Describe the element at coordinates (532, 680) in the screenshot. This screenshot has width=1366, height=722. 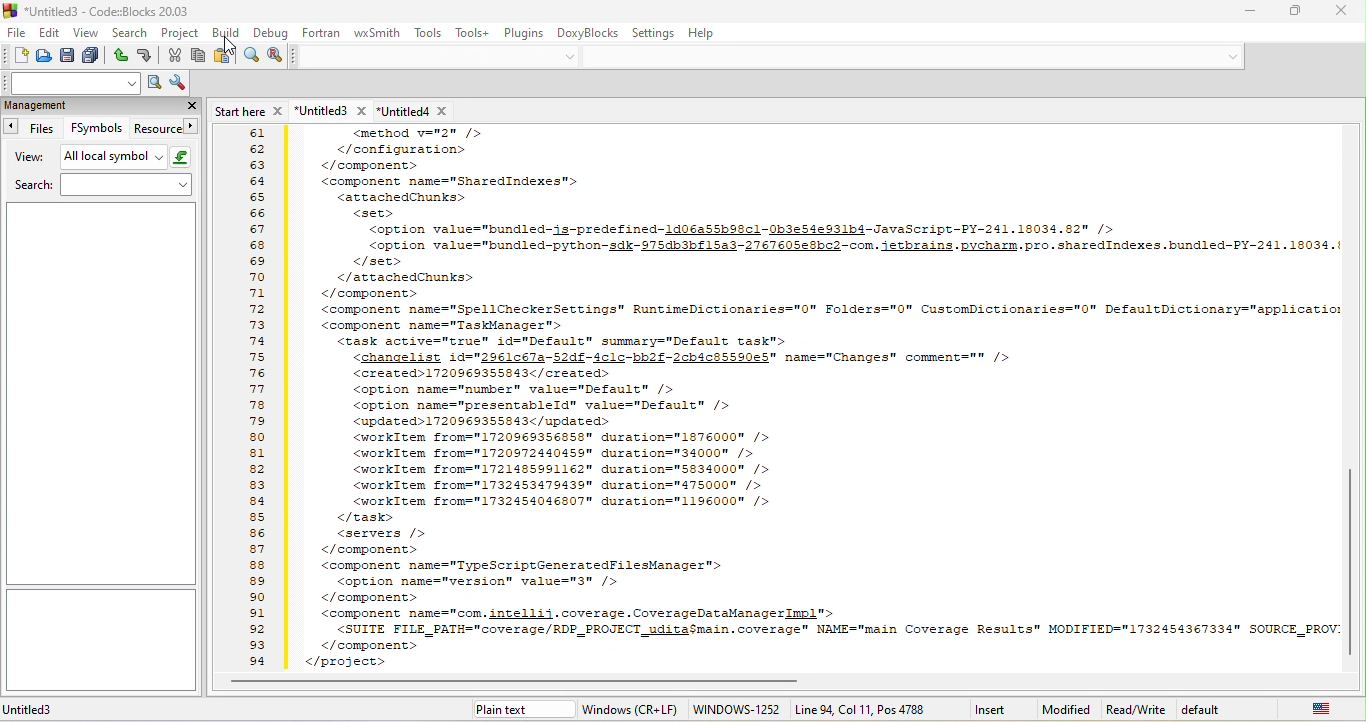
I see `horizontal scroll bar` at that location.